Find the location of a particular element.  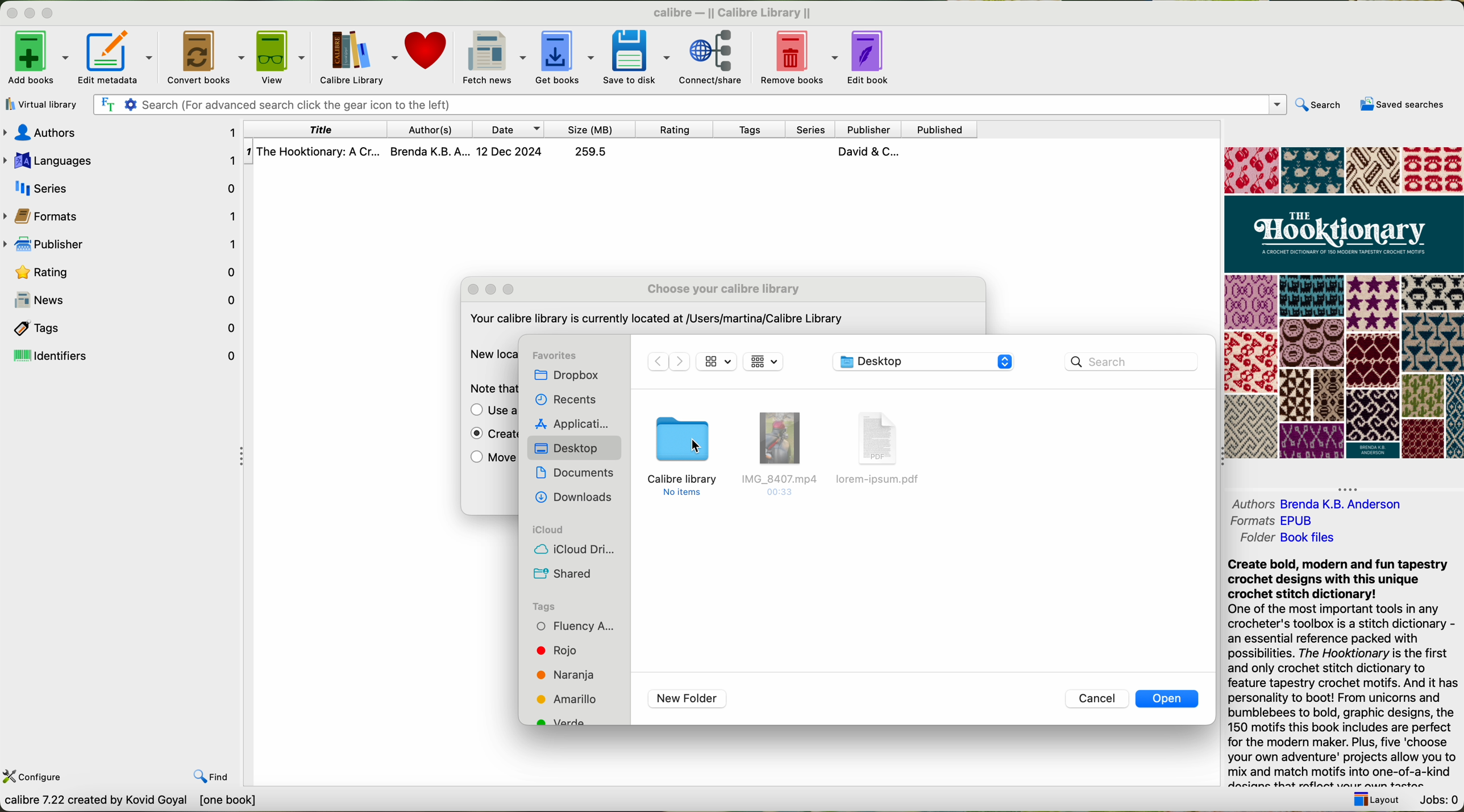

calibre 7.22 created by Kavid Goyal [one book] is located at coordinates (163, 801).